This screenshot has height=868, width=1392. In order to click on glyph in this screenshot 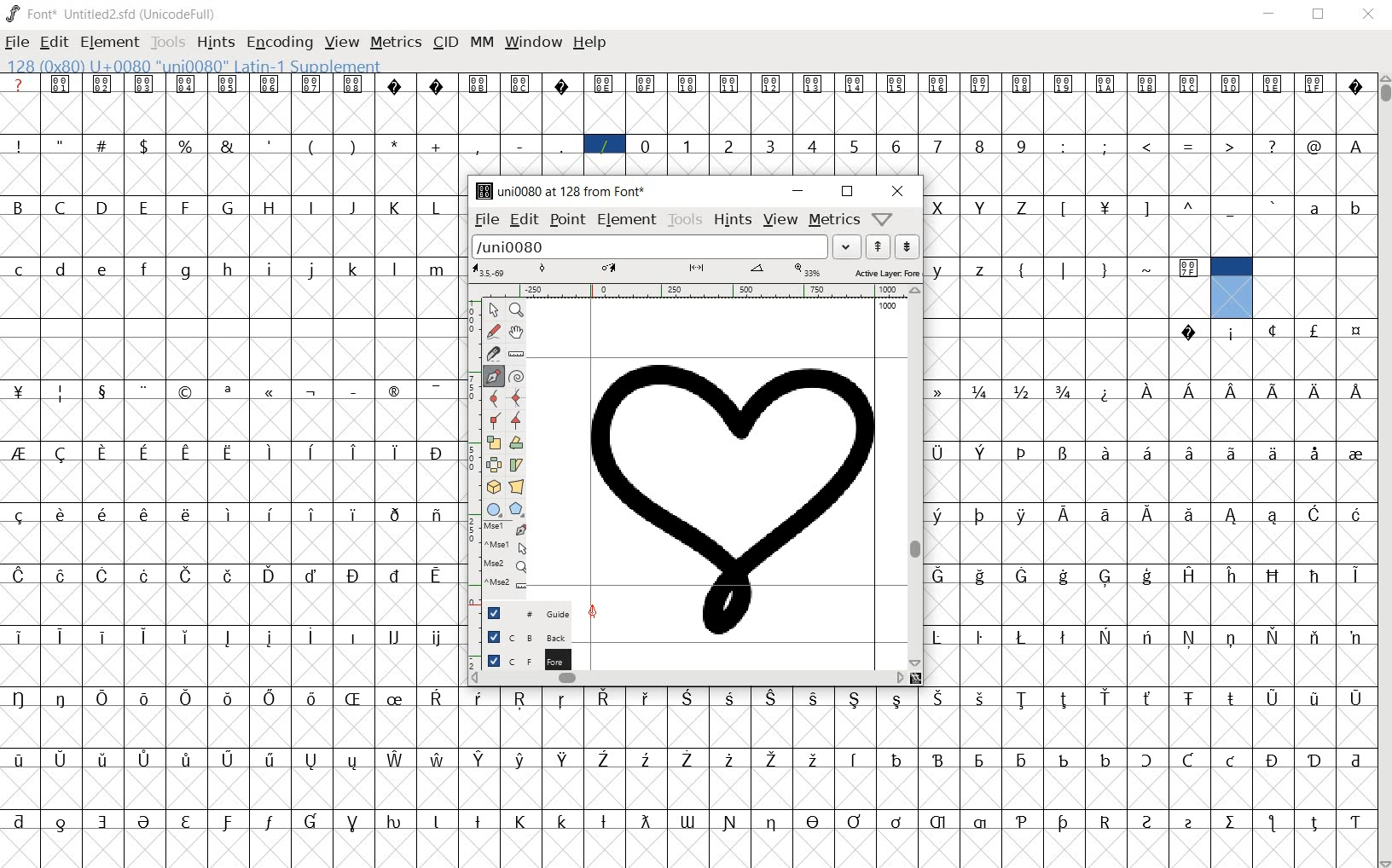, I will do `click(355, 392)`.